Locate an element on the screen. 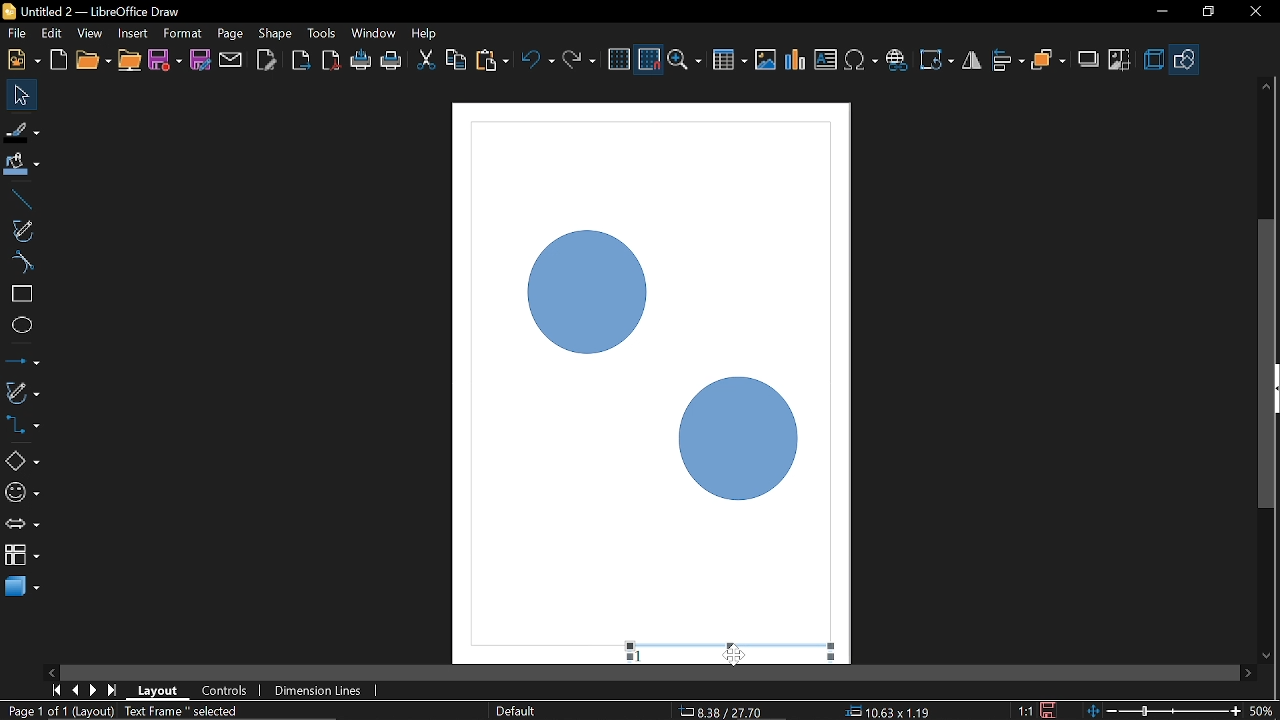 Image resolution: width=1280 pixels, height=720 pixels. Save is located at coordinates (1051, 710).